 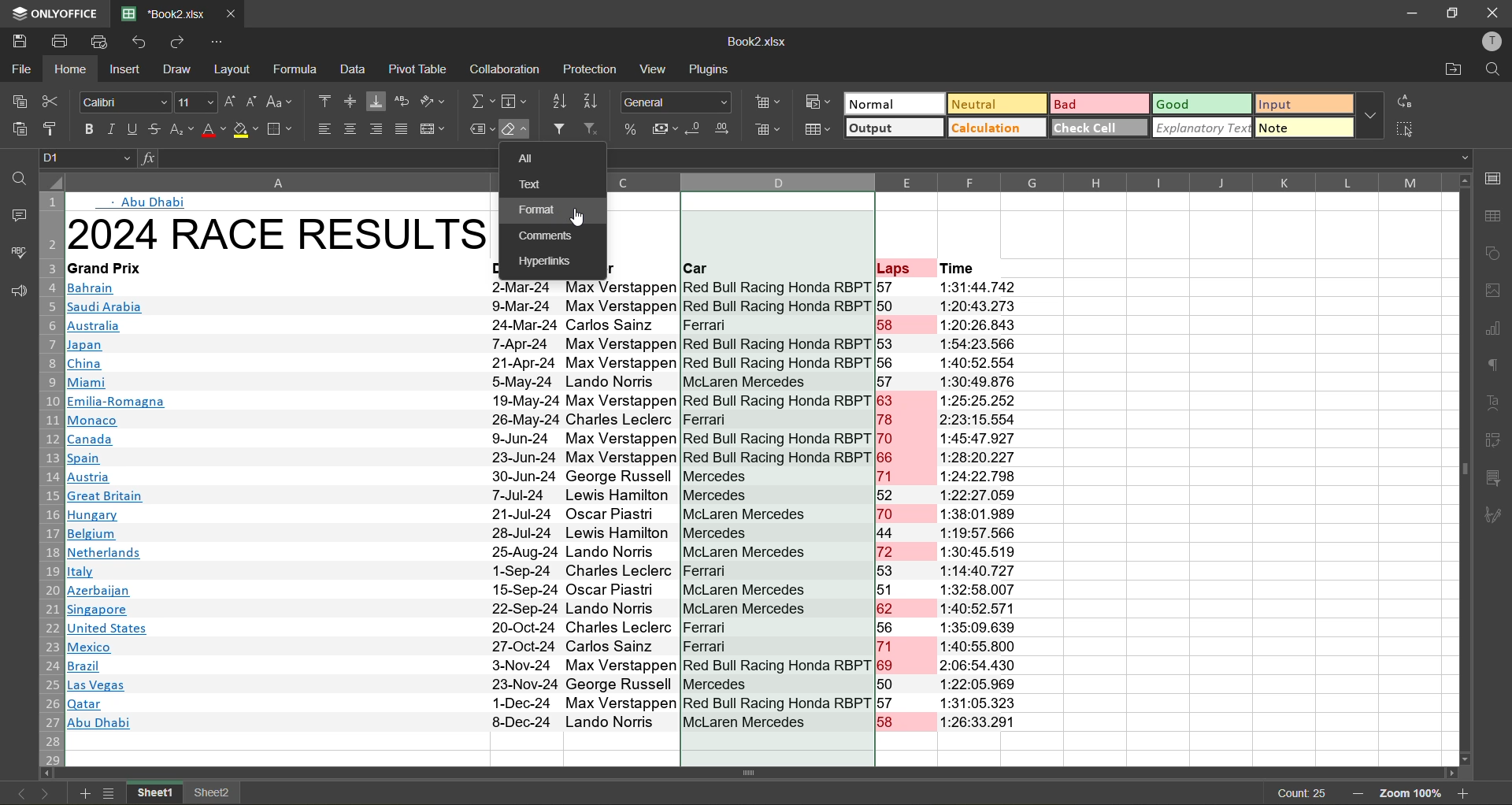 I want to click on slicer, so click(x=1498, y=481).